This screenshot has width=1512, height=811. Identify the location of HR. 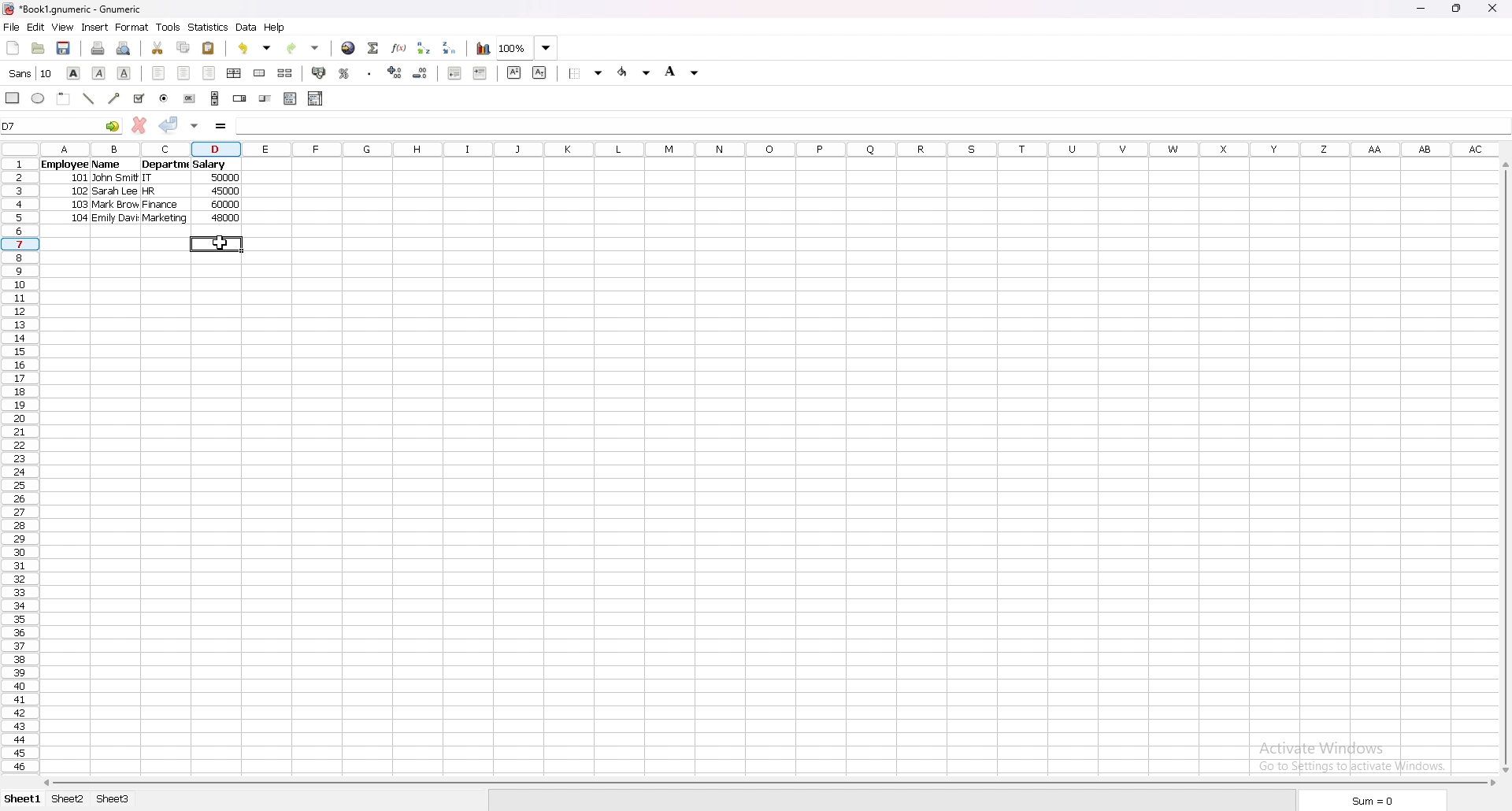
(157, 193).